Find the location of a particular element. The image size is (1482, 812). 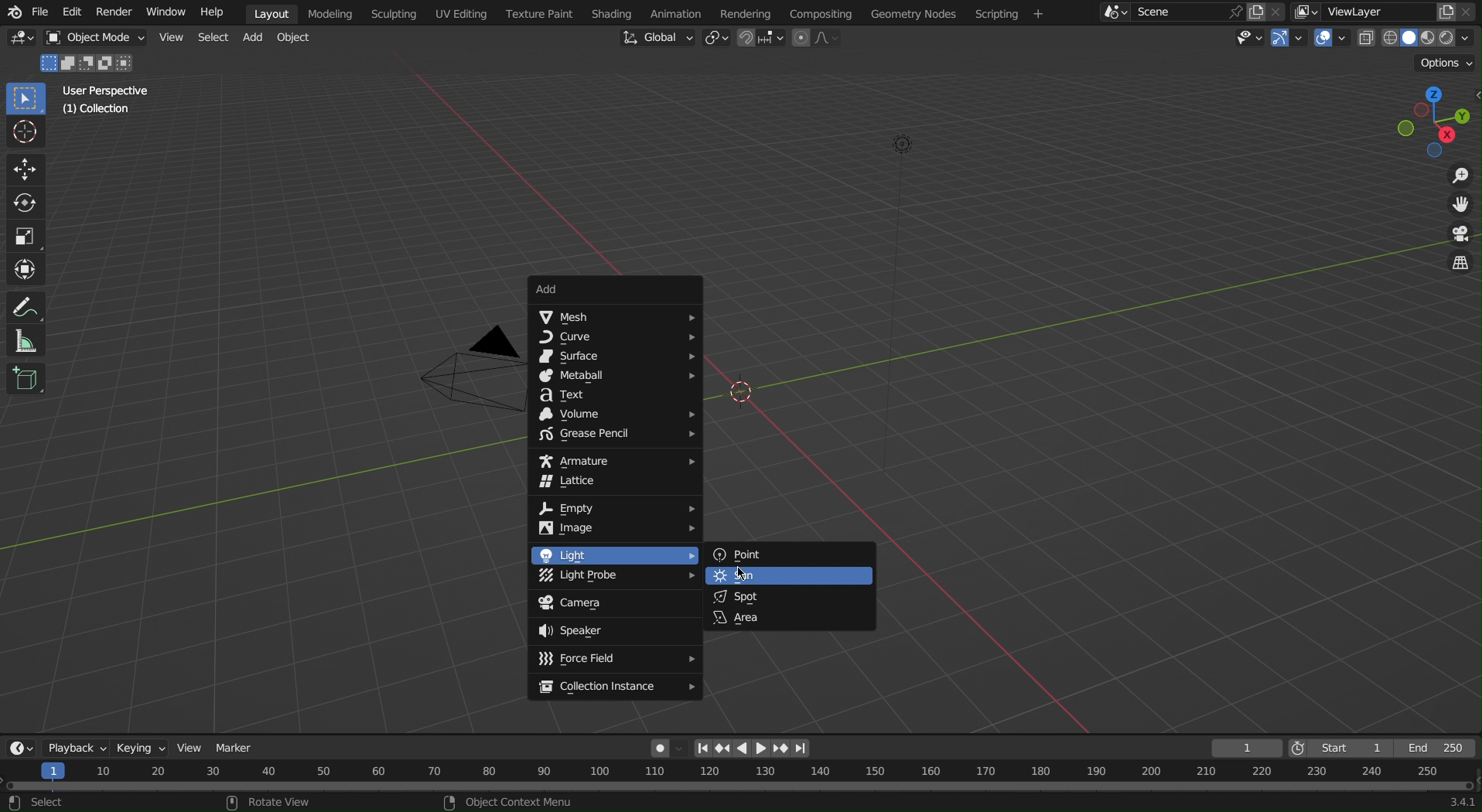

Copy is located at coordinates (1446, 10).